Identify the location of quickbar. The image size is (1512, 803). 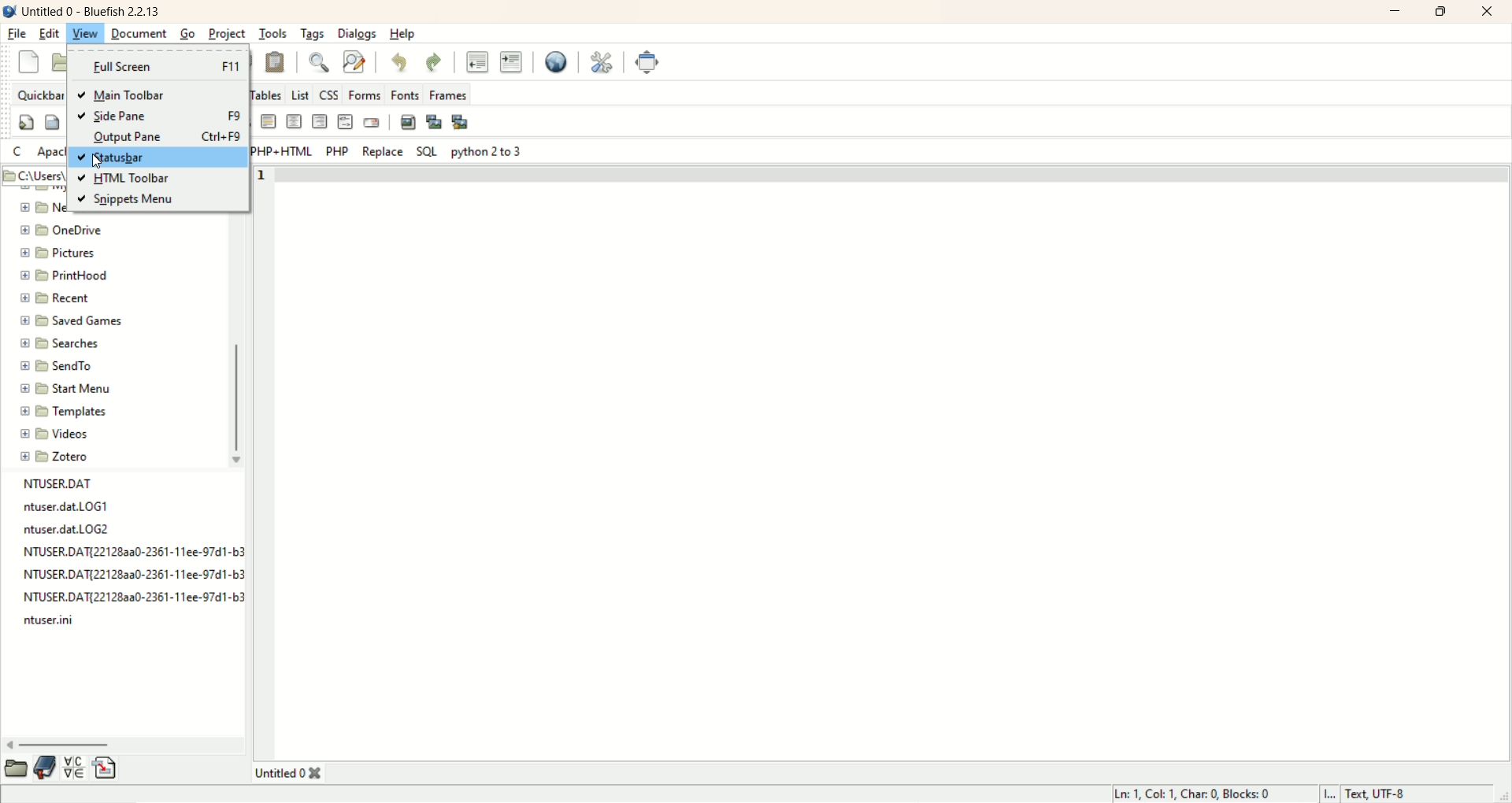
(40, 92).